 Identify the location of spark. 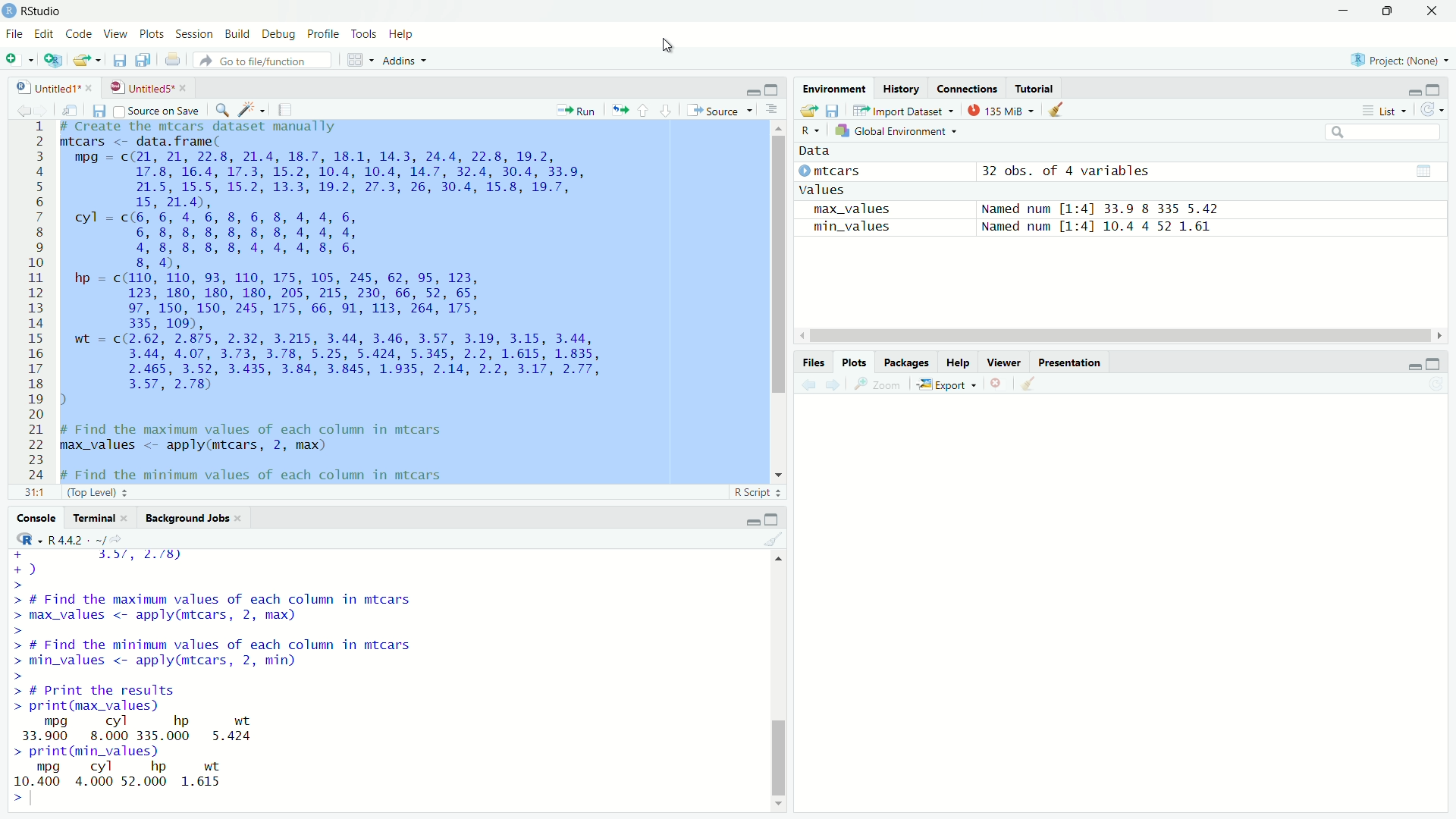
(253, 111).